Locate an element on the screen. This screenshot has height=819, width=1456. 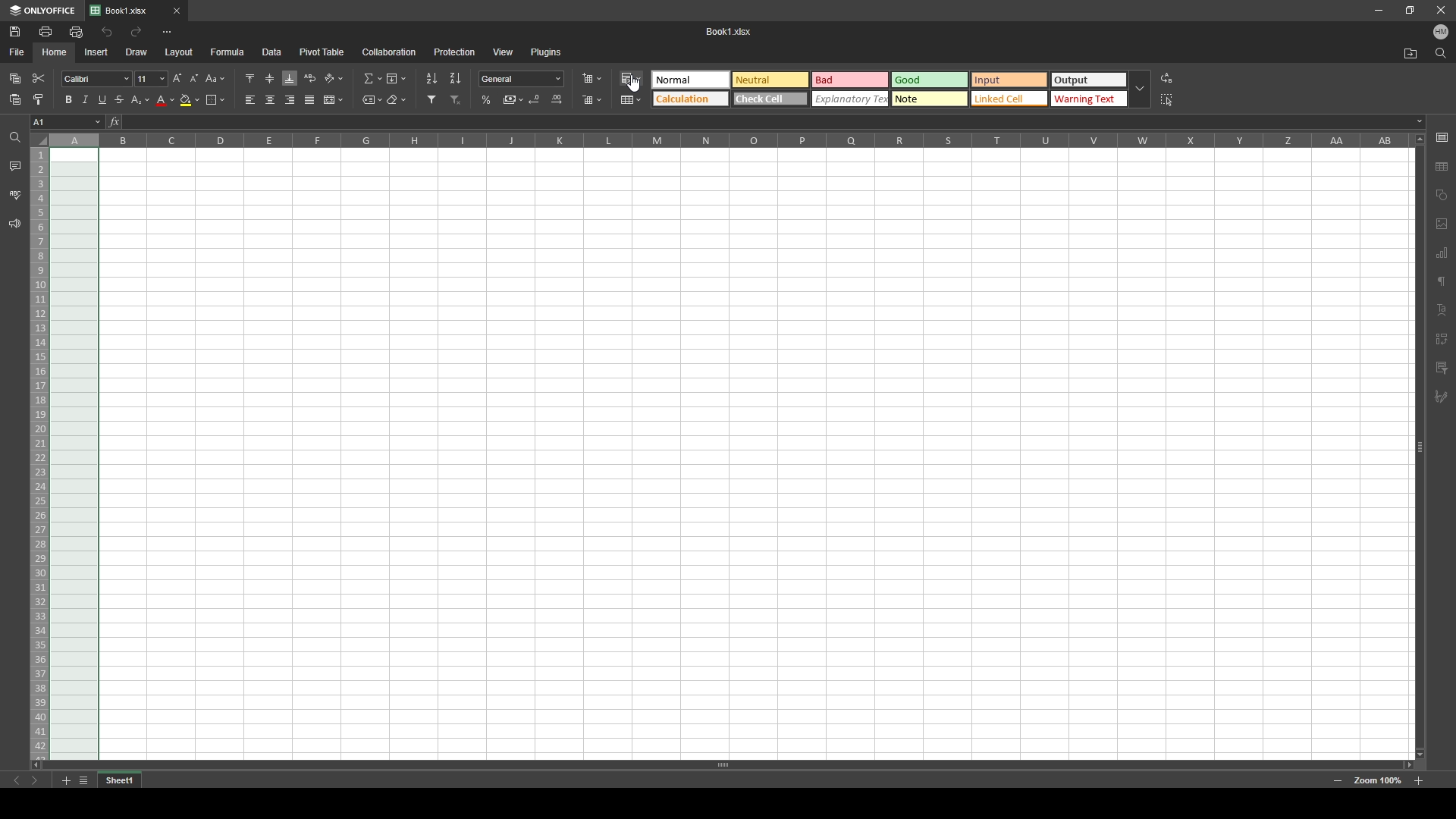
align bottom is located at coordinates (290, 78).